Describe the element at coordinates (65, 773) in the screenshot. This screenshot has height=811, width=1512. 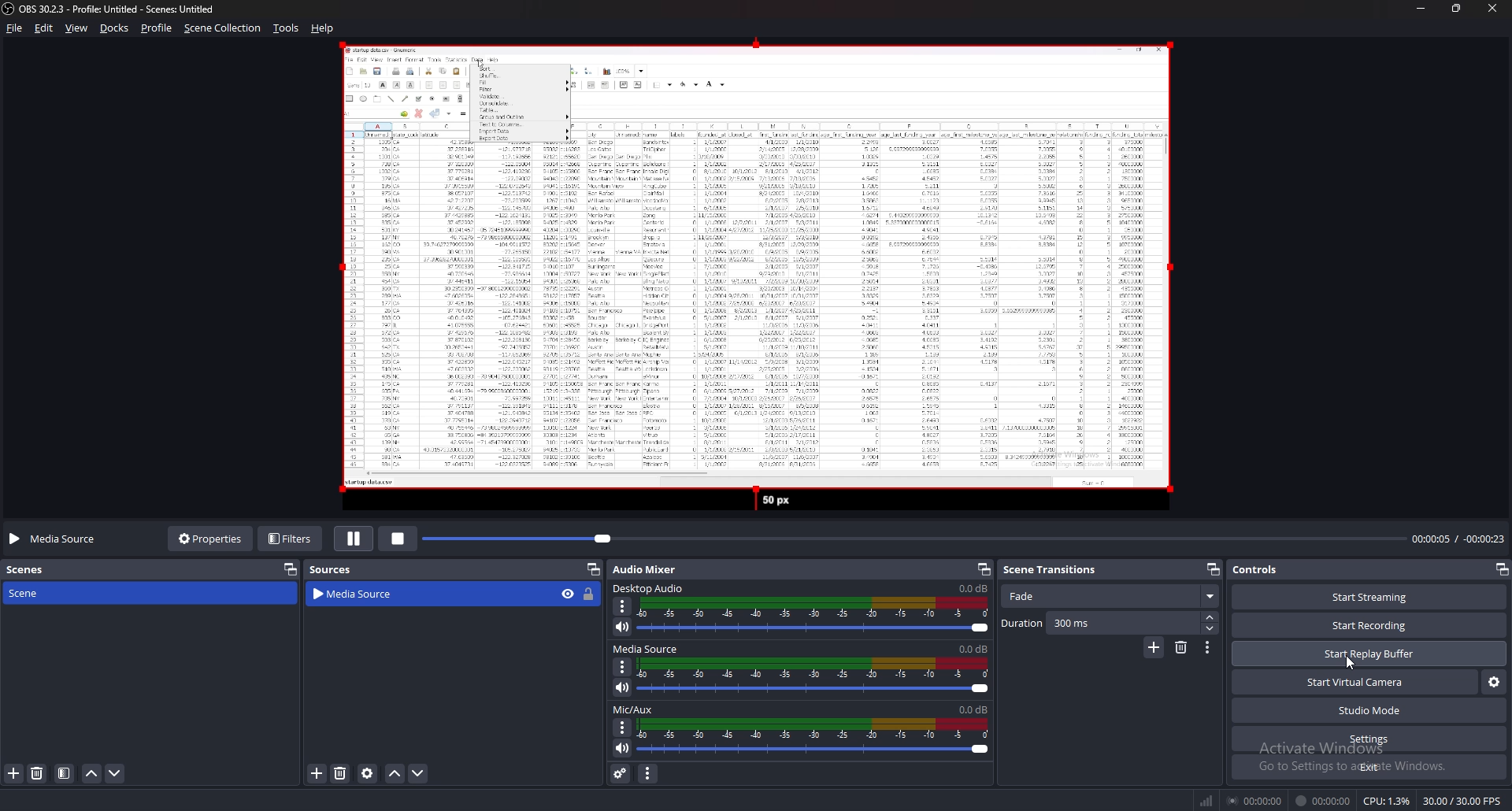
I see `filter` at that location.